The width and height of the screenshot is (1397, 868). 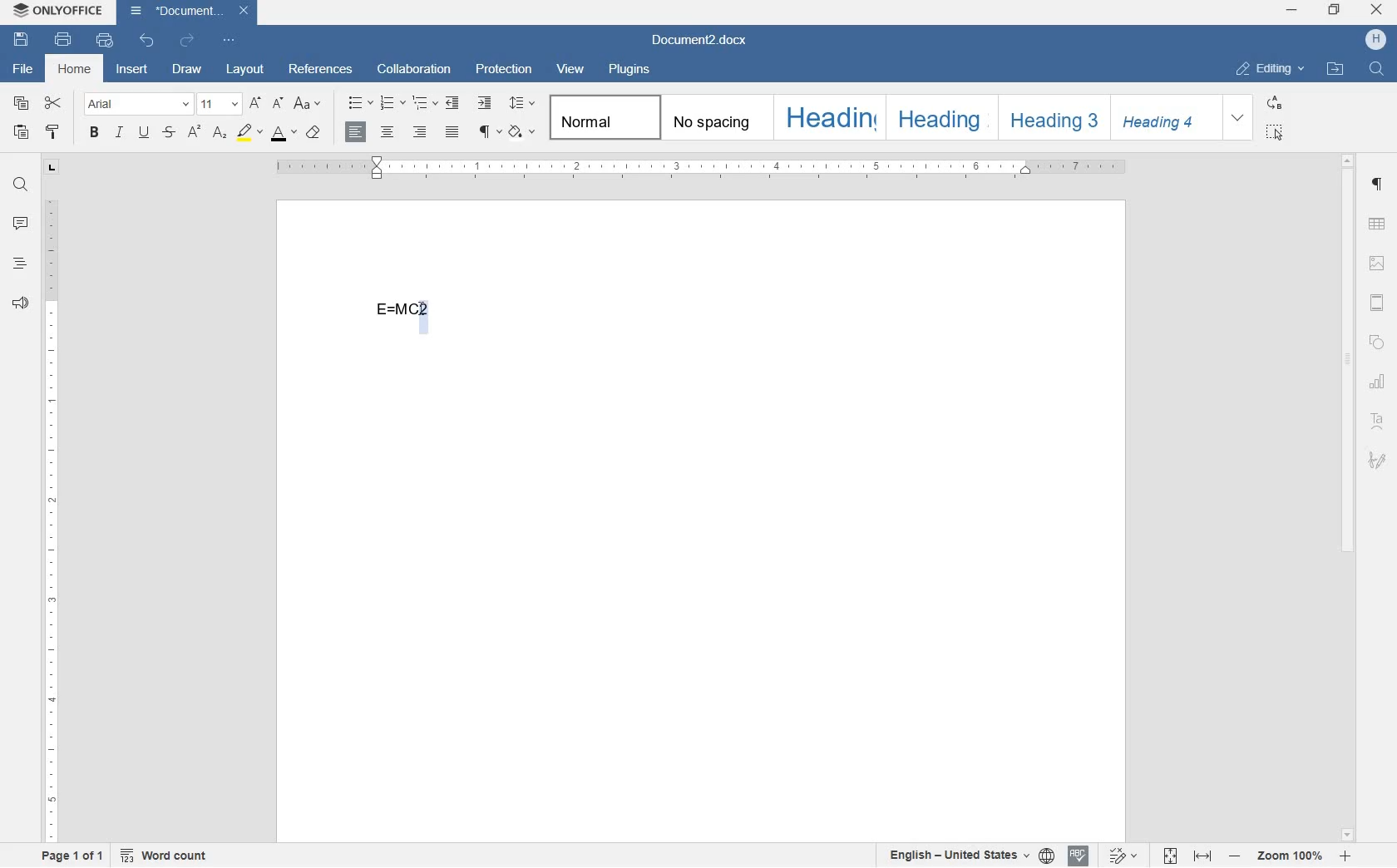 What do you see at coordinates (185, 44) in the screenshot?
I see `redo` at bounding box center [185, 44].